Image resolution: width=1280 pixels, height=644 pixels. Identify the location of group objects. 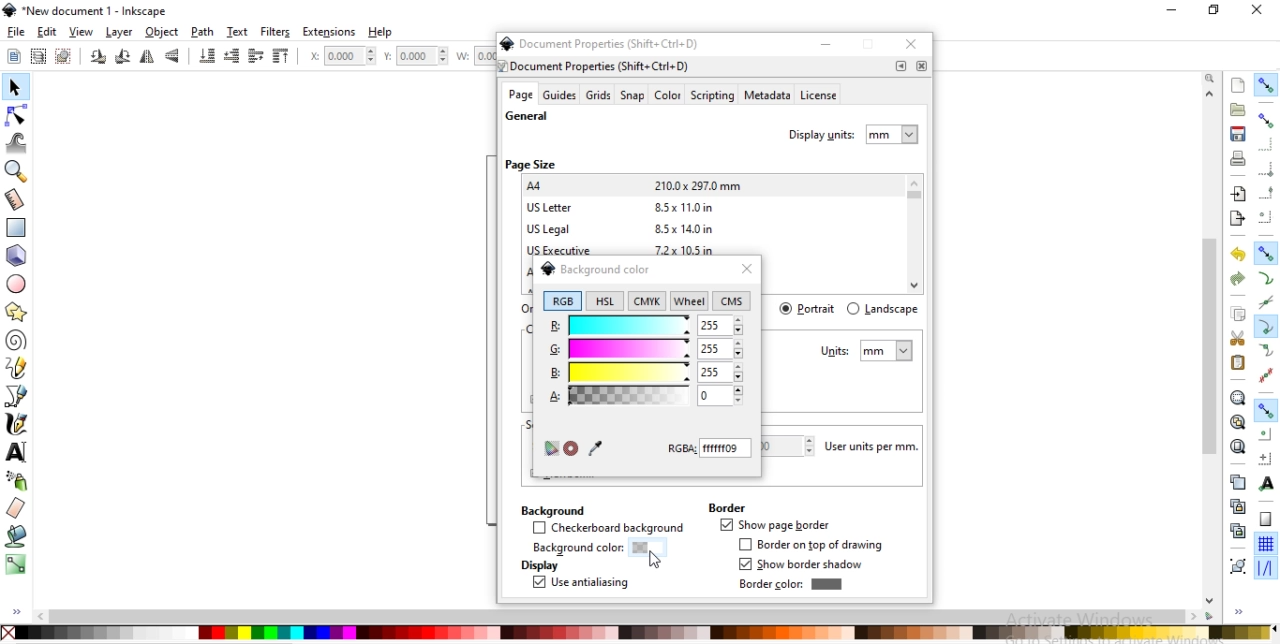
(1236, 566).